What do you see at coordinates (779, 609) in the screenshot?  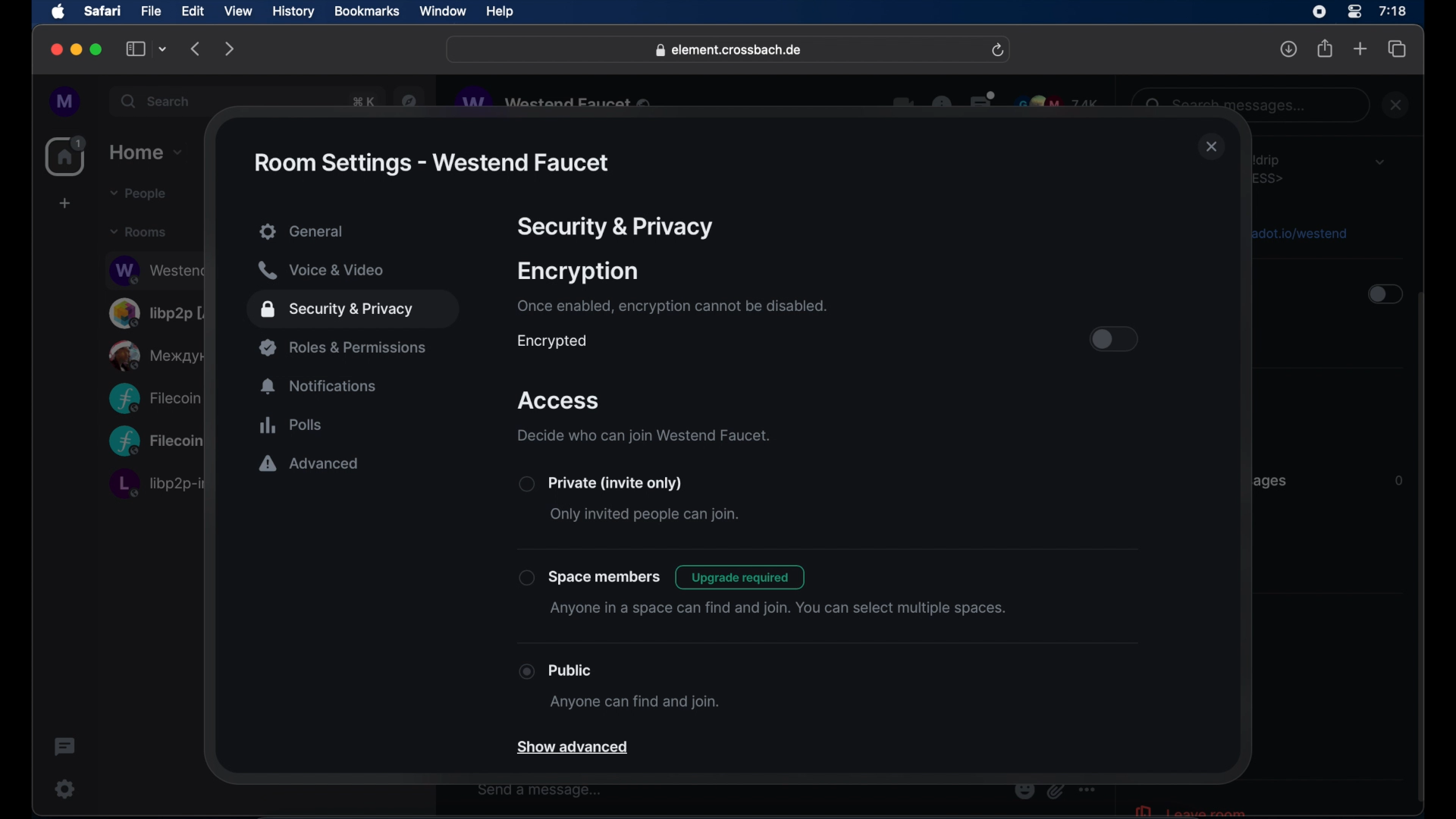 I see `anyone in a space can find and join` at bounding box center [779, 609].